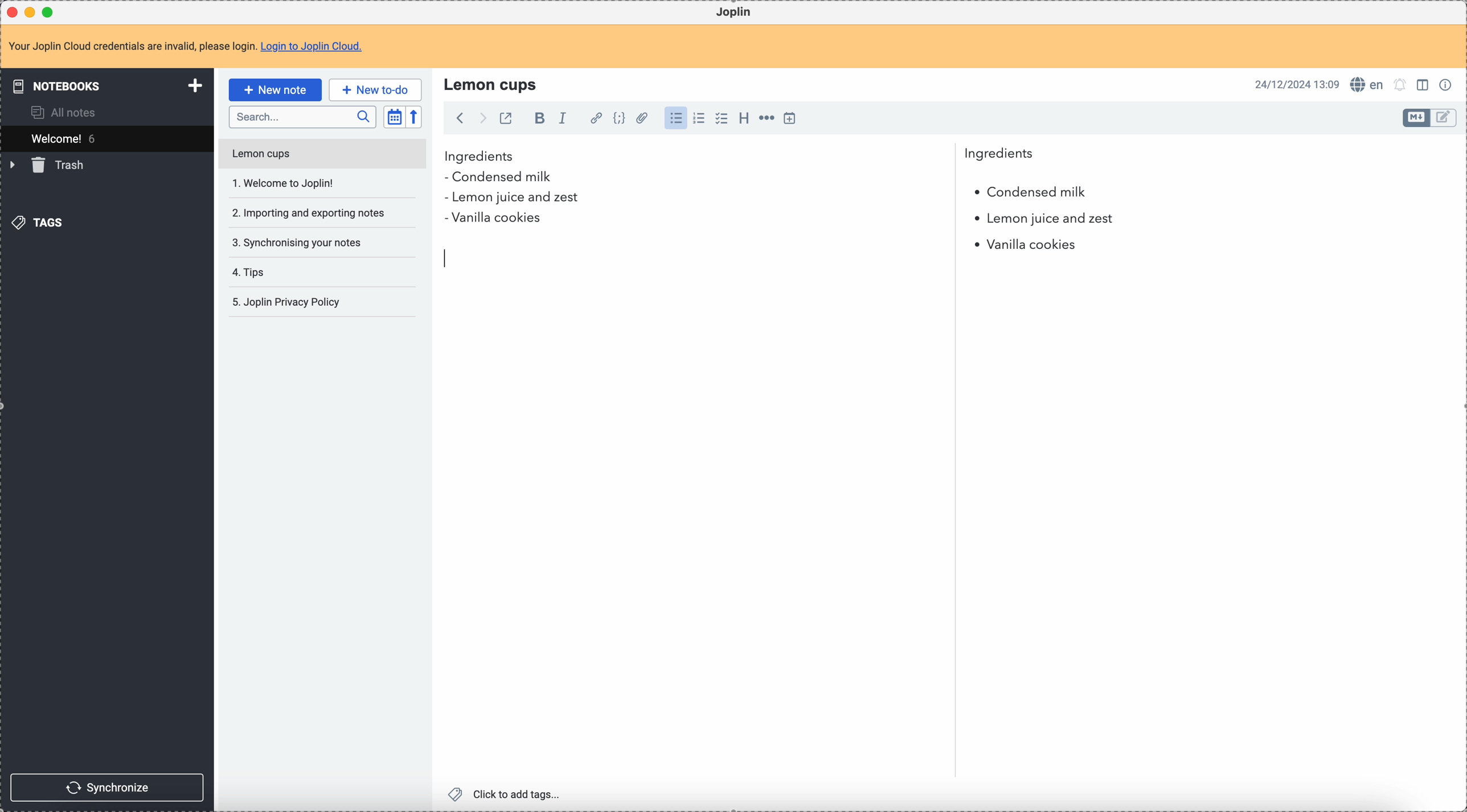  I want to click on horizontal rule, so click(765, 120).